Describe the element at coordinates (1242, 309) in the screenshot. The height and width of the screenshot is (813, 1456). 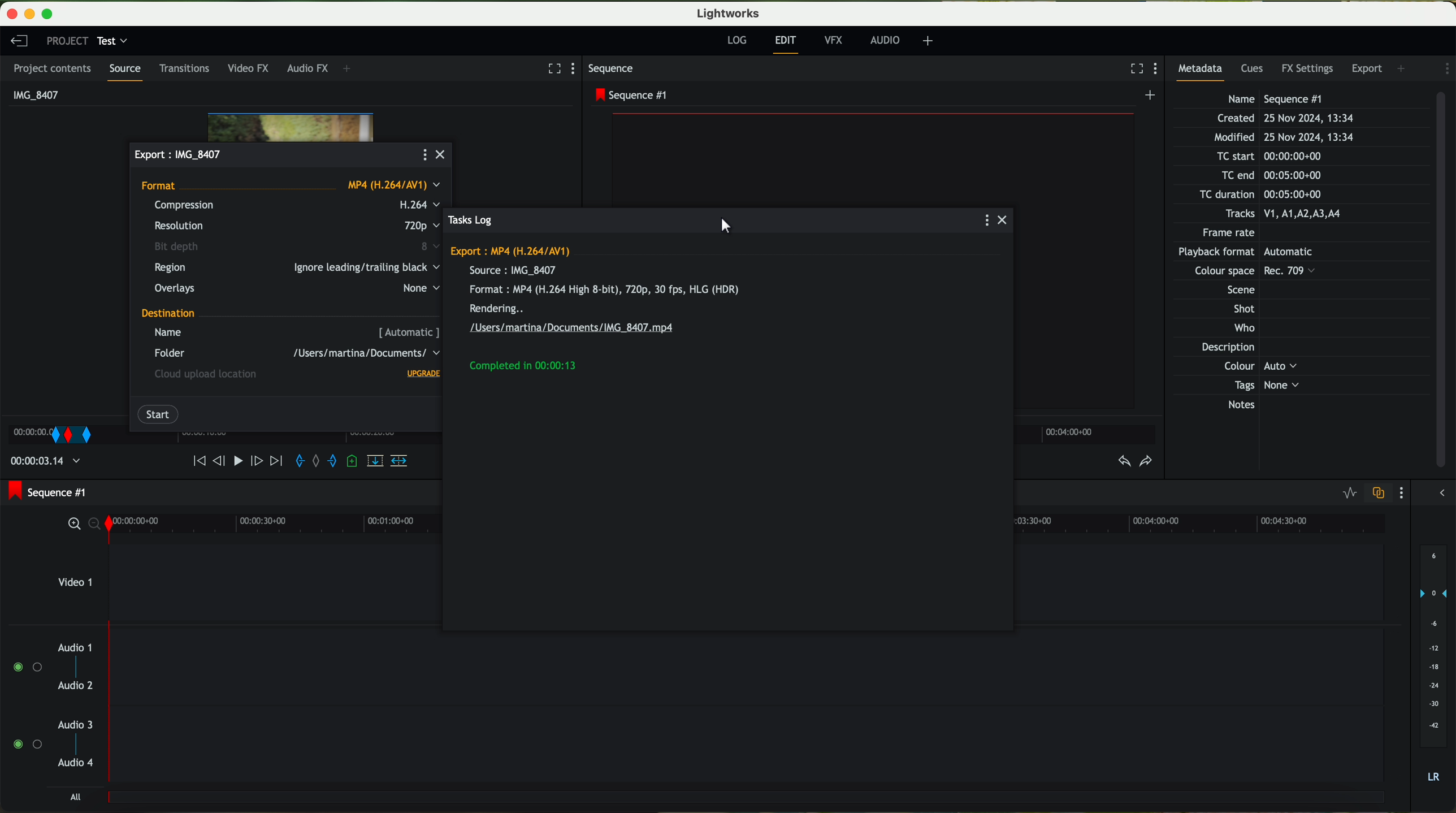
I see `Shot` at that location.